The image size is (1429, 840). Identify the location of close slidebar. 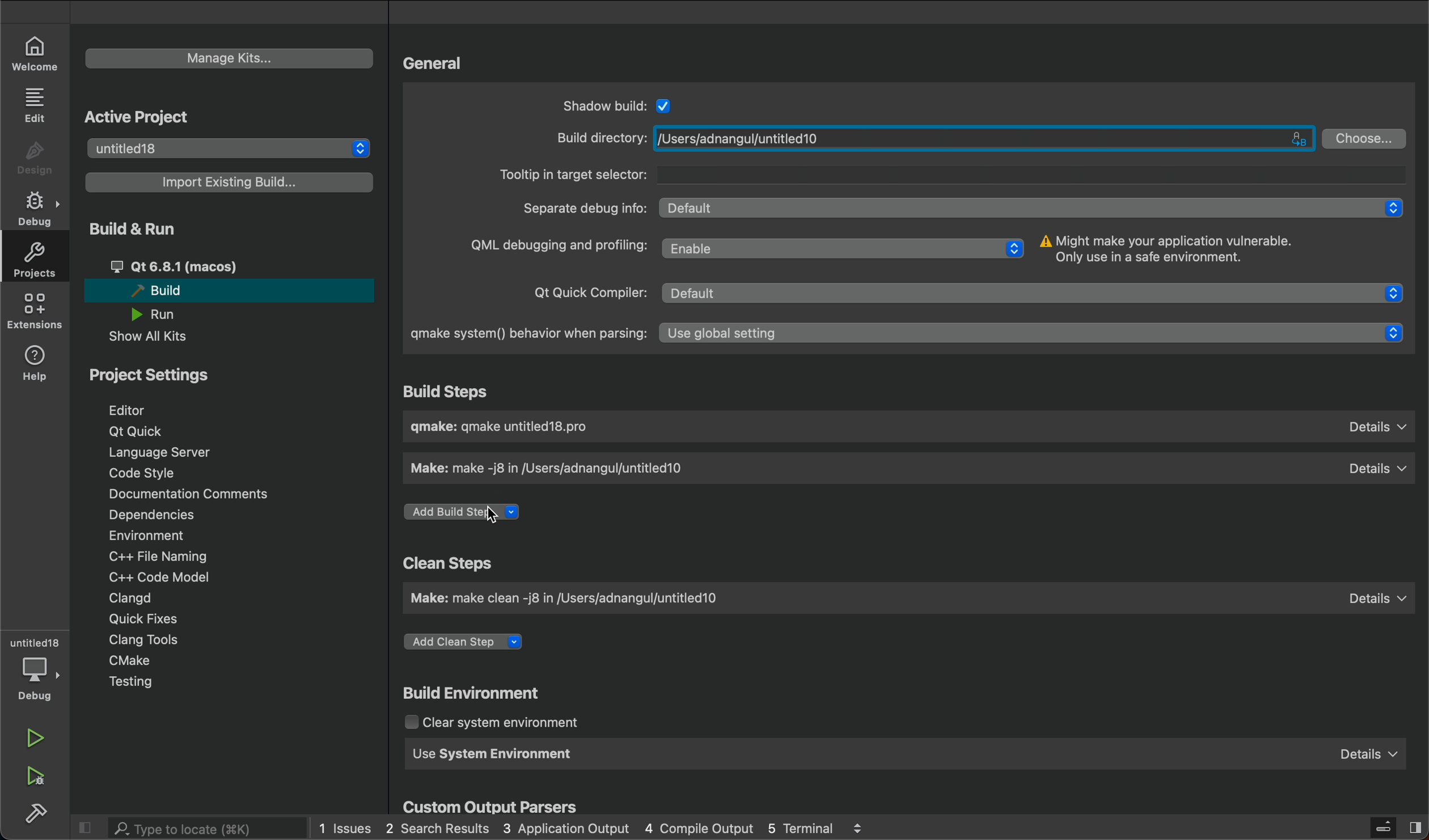
(1384, 828).